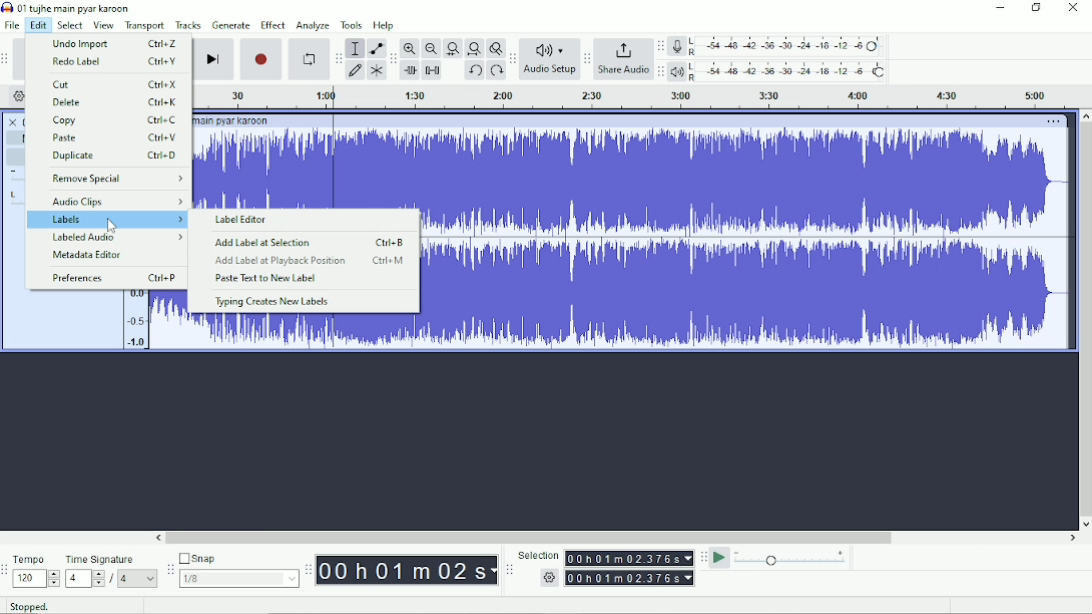 The height and width of the screenshot is (614, 1092). What do you see at coordinates (410, 71) in the screenshot?
I see `Trim audio outside selection` at bounding box center [410, 71].